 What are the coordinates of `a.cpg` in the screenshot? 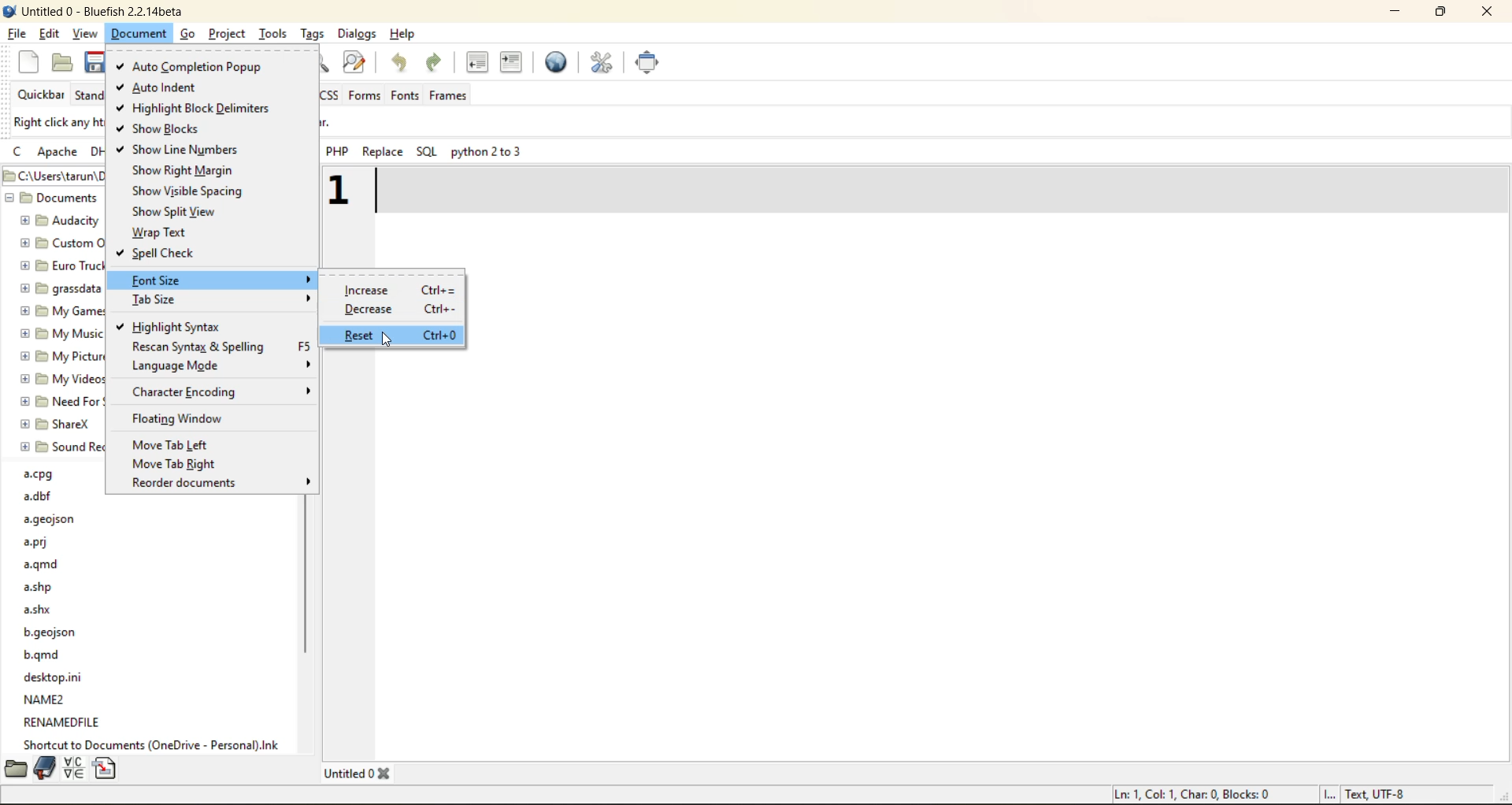 It's located at (39, 476).